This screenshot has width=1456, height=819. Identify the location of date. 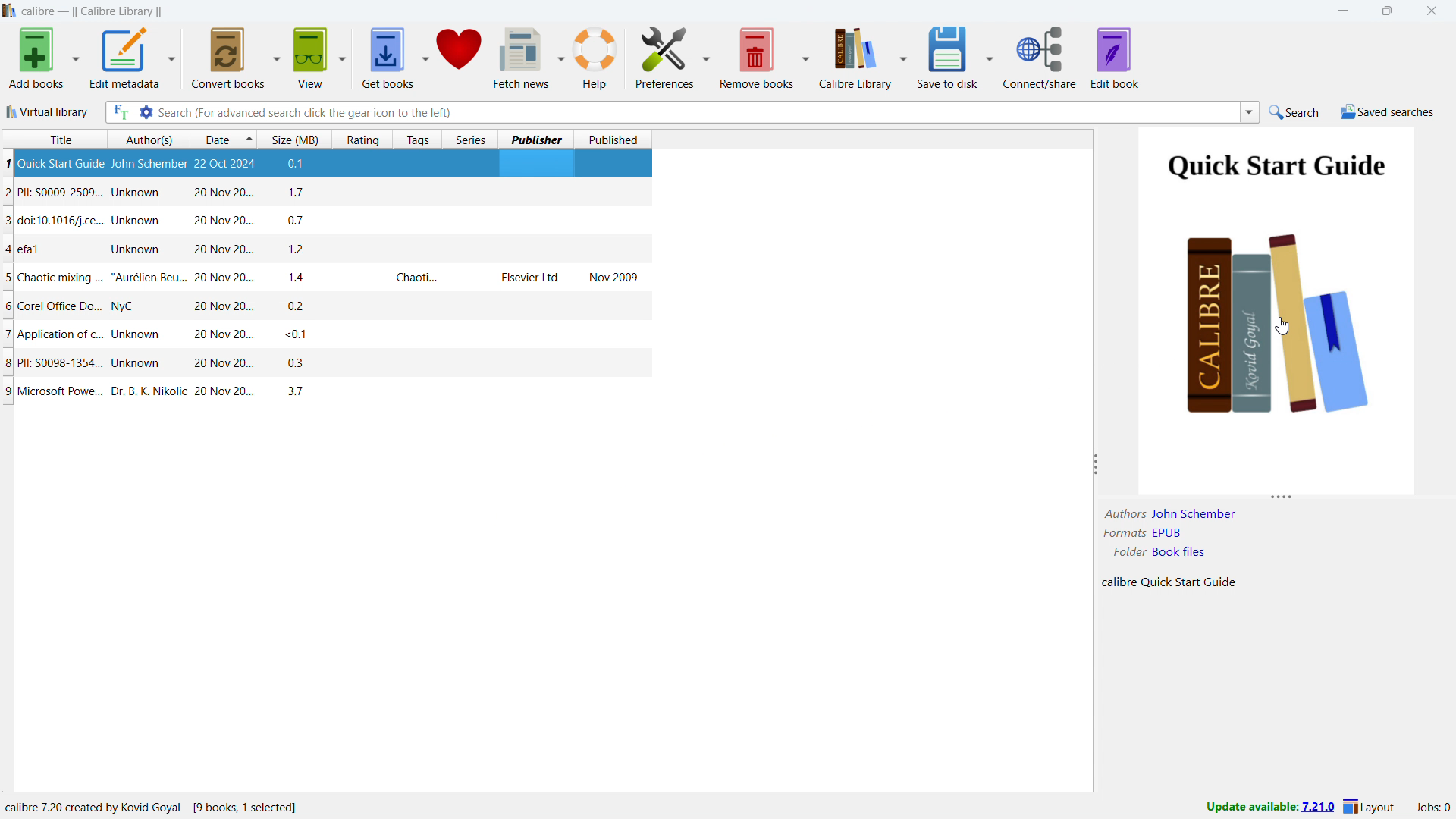
(214, 139).